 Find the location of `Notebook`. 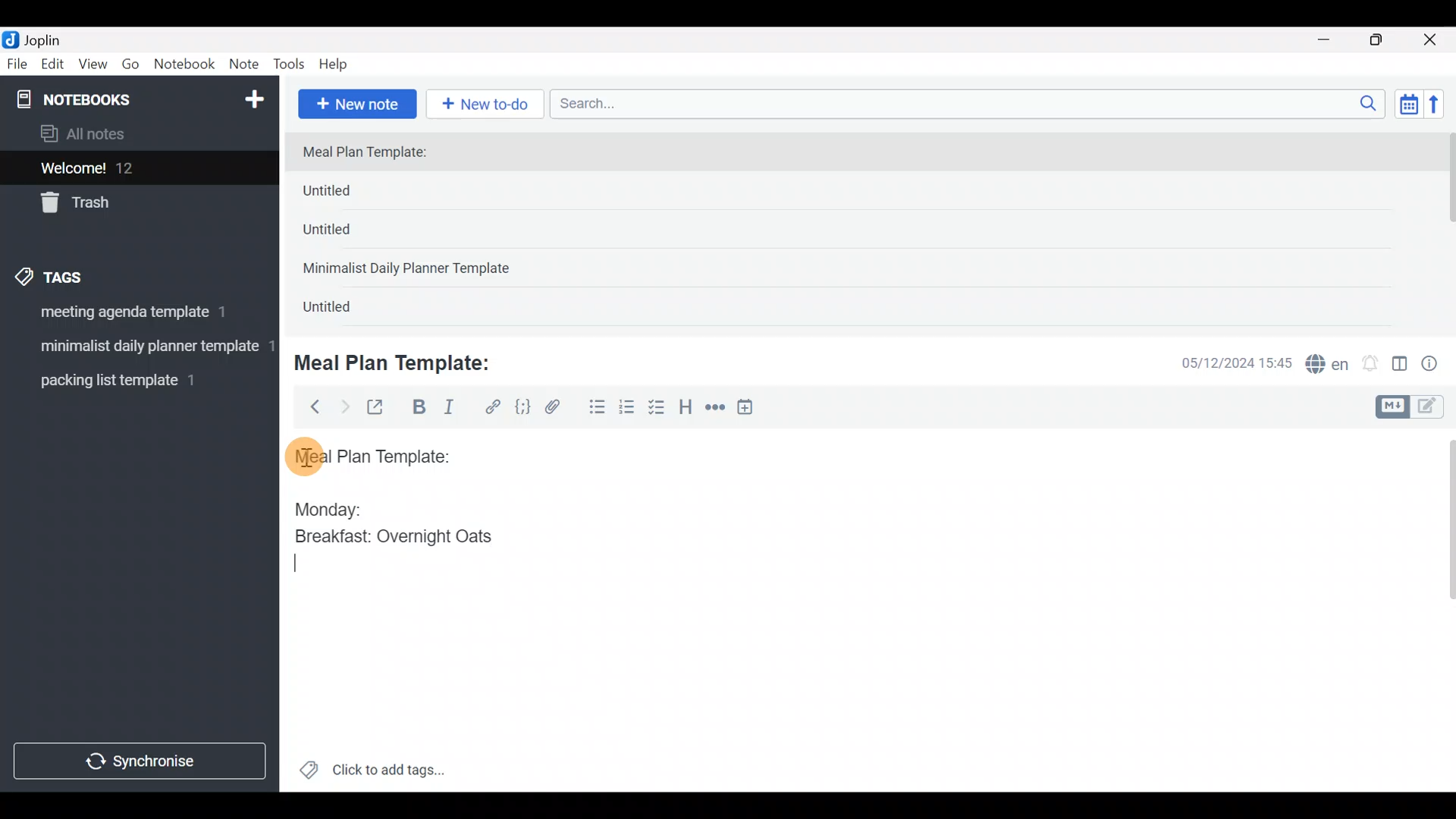

Notebook is located at coordinates (185, 64).